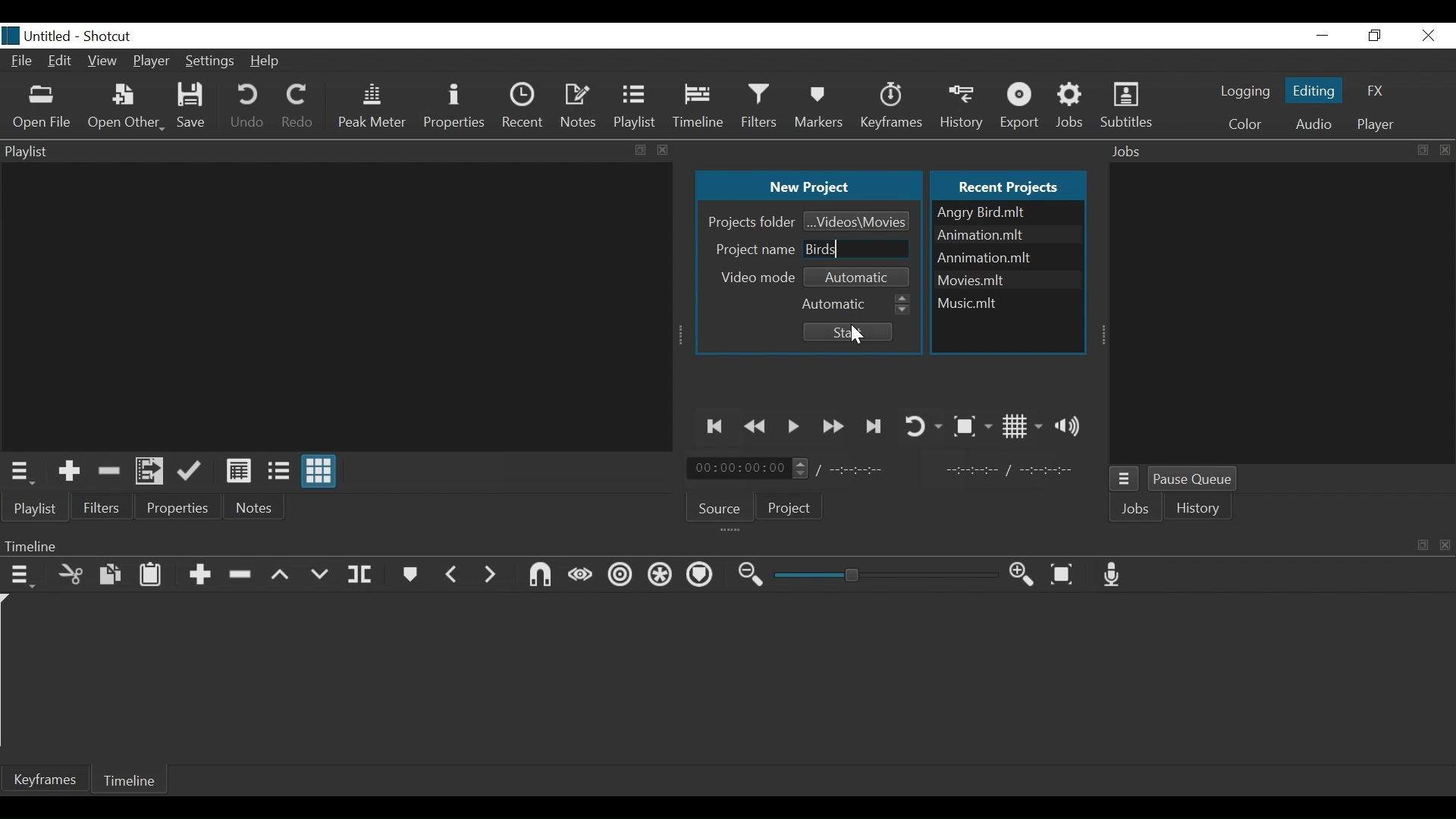  Describe the element at coordinates (1072, 425) in the screenshot. I see `Show volume control` at that location.